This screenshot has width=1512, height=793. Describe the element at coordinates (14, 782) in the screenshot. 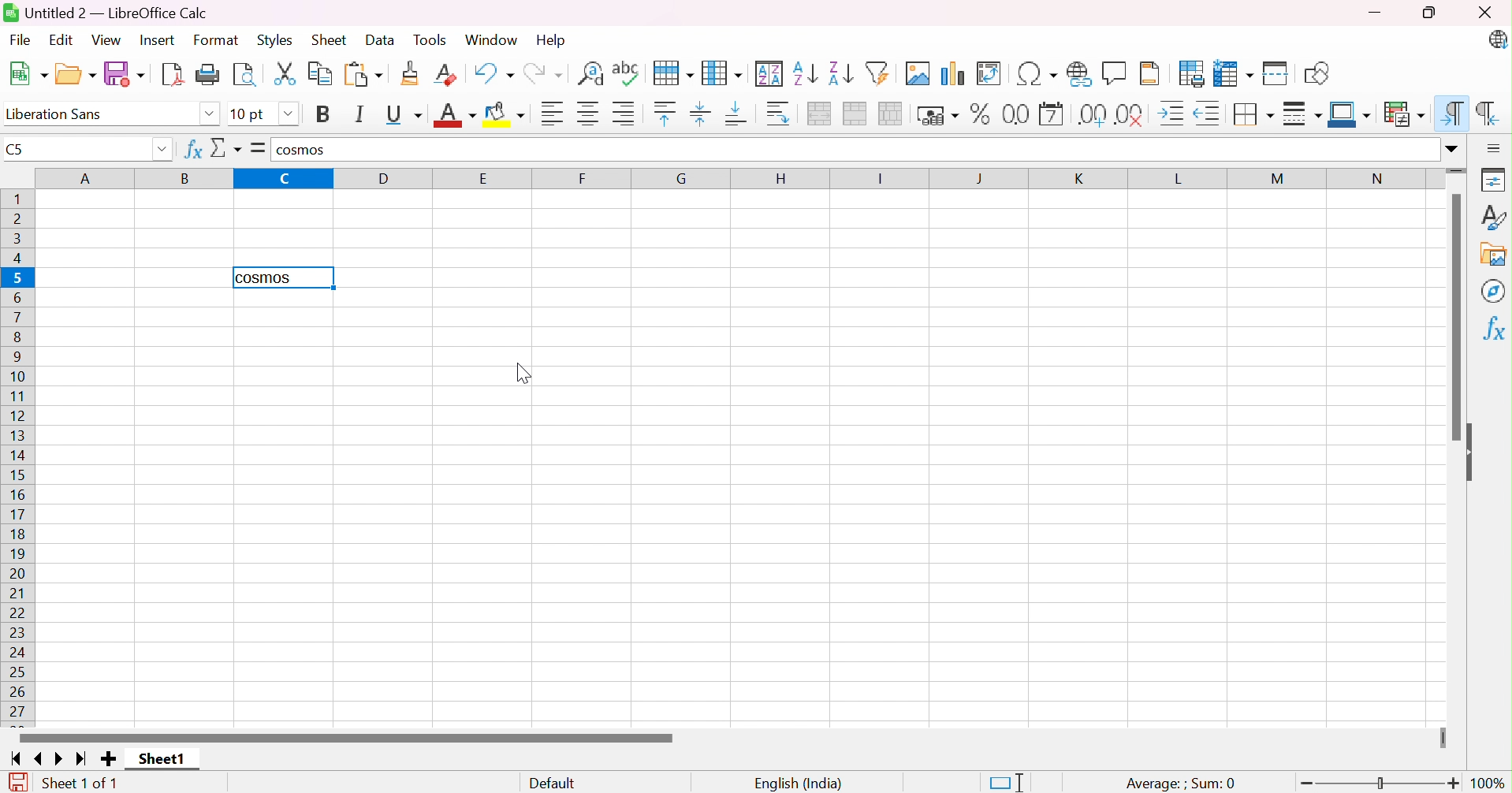

I see `The document has been modified. Click to save the document.` at that location.